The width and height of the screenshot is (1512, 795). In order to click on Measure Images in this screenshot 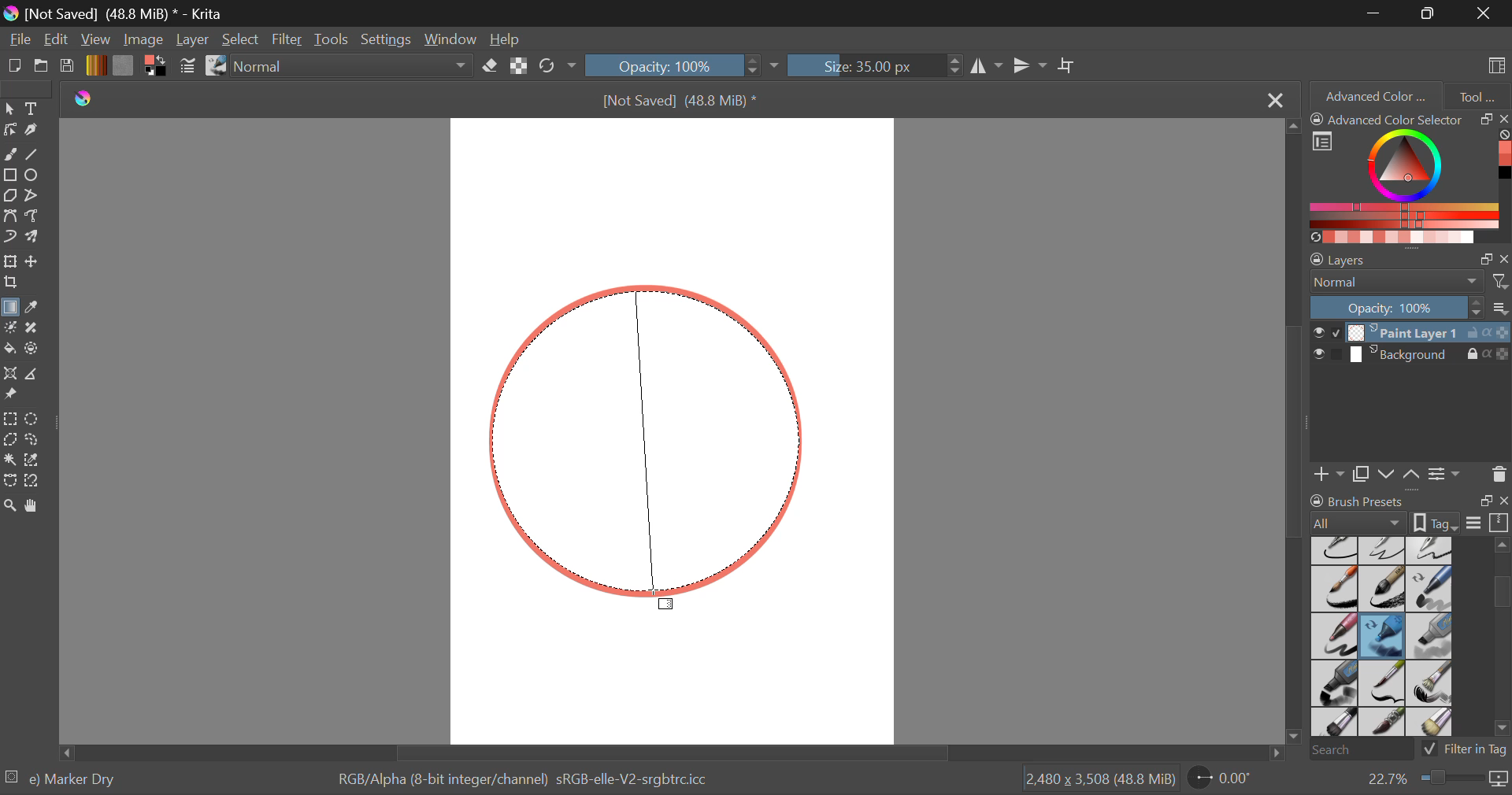, I will do `click(34, 376)`.